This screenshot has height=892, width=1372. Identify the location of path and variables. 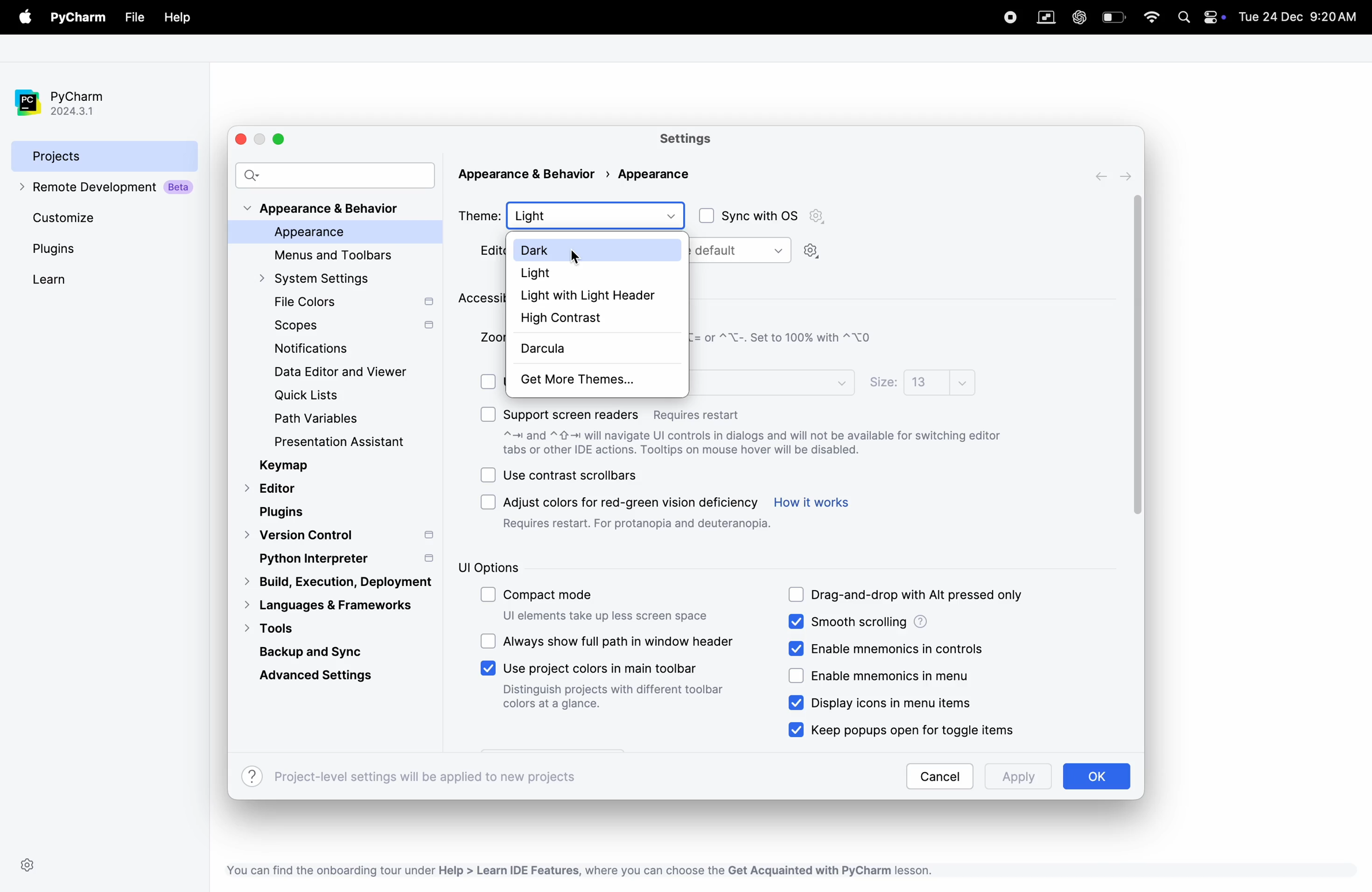
(318, 419).